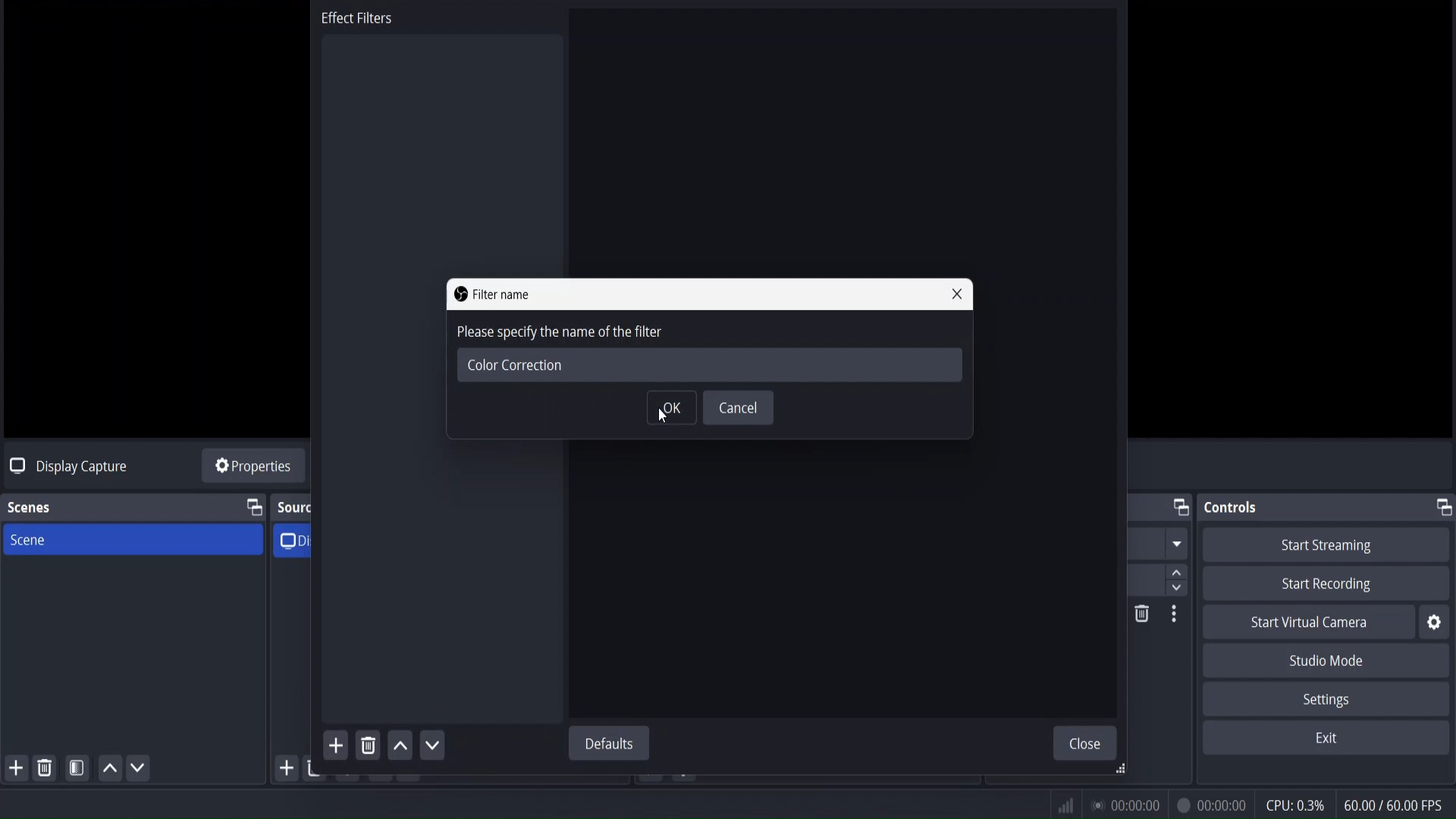 This screenshot has height=819, width=1456. Describe the element at coordinates (402, 748) in the screenshot. I see `move up` at that location.